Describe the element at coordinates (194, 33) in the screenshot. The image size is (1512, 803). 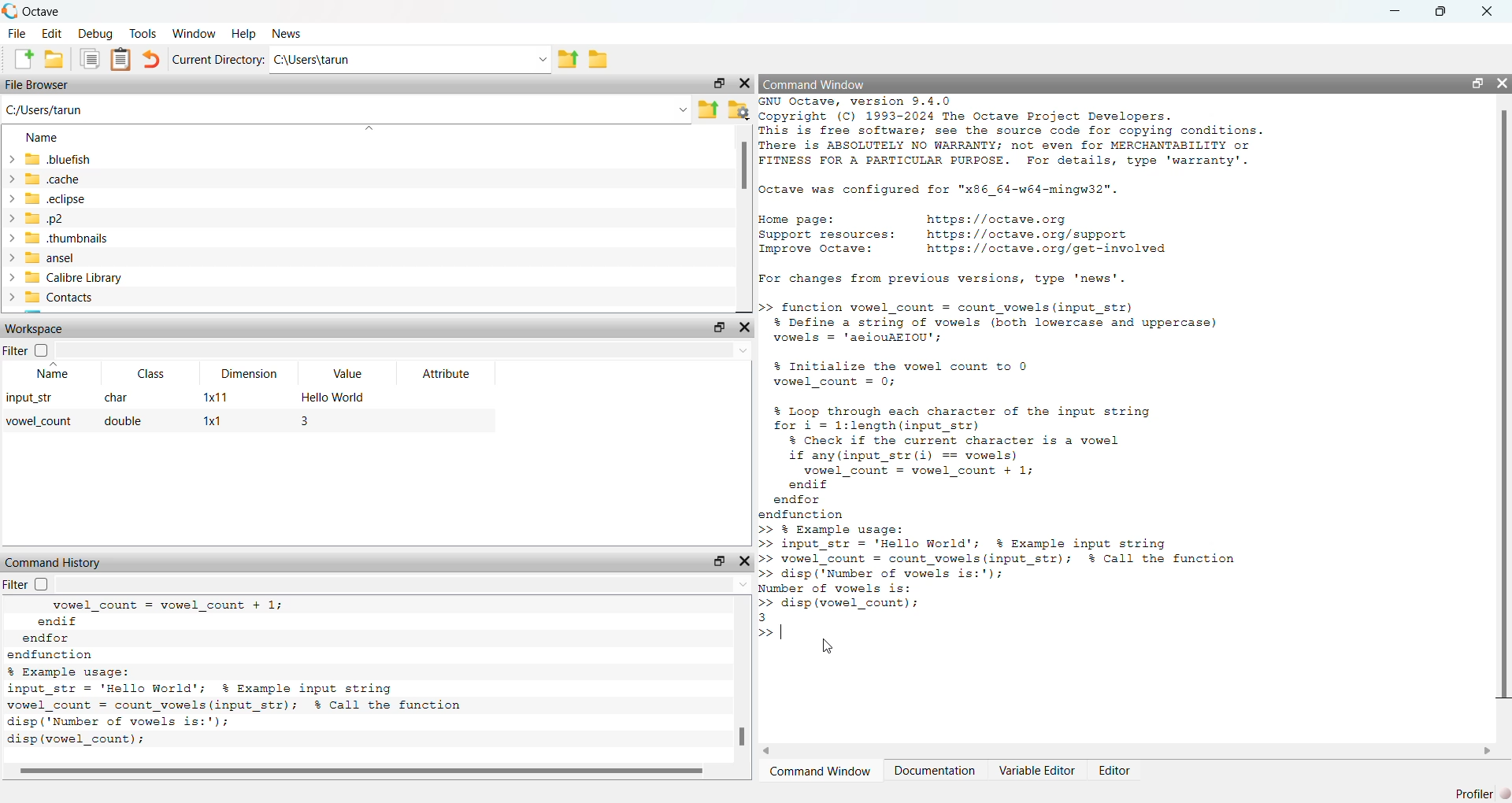
I see `Window` at that location.